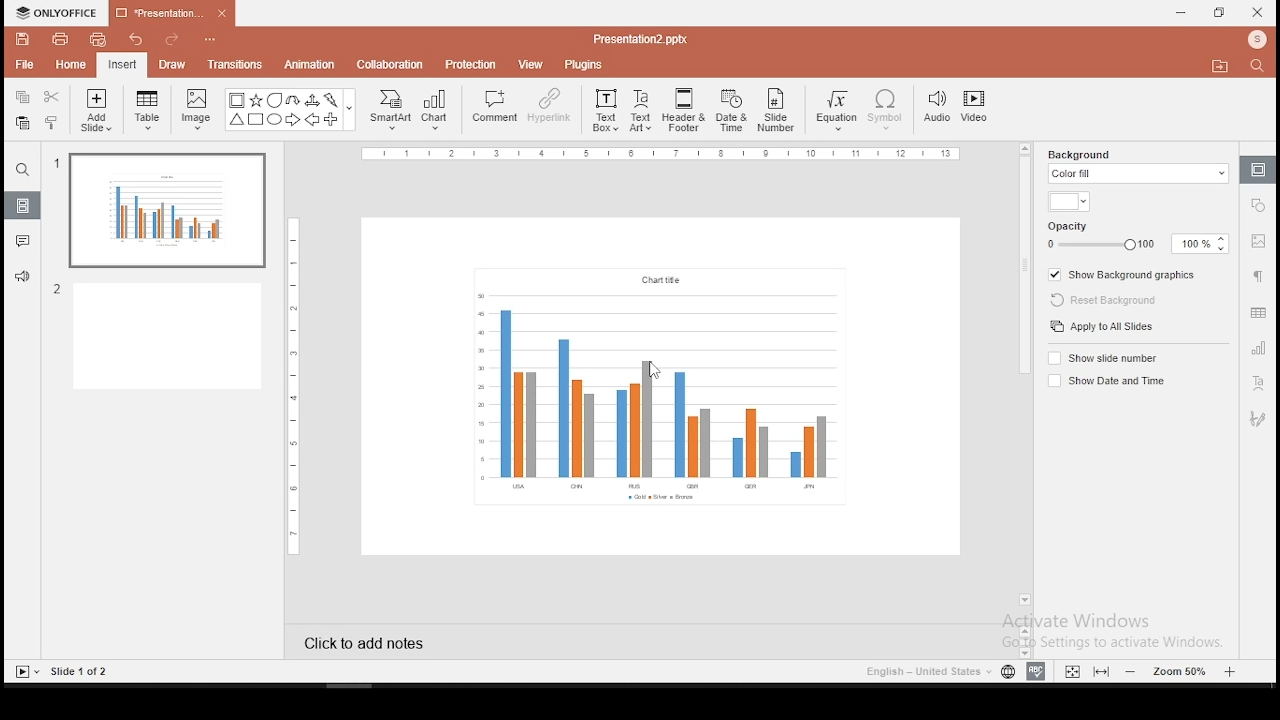 This screenshot has height=720, width=1280. Describe the element at coordinates (24, 244) in the screenshot. I see `comments` at that location.